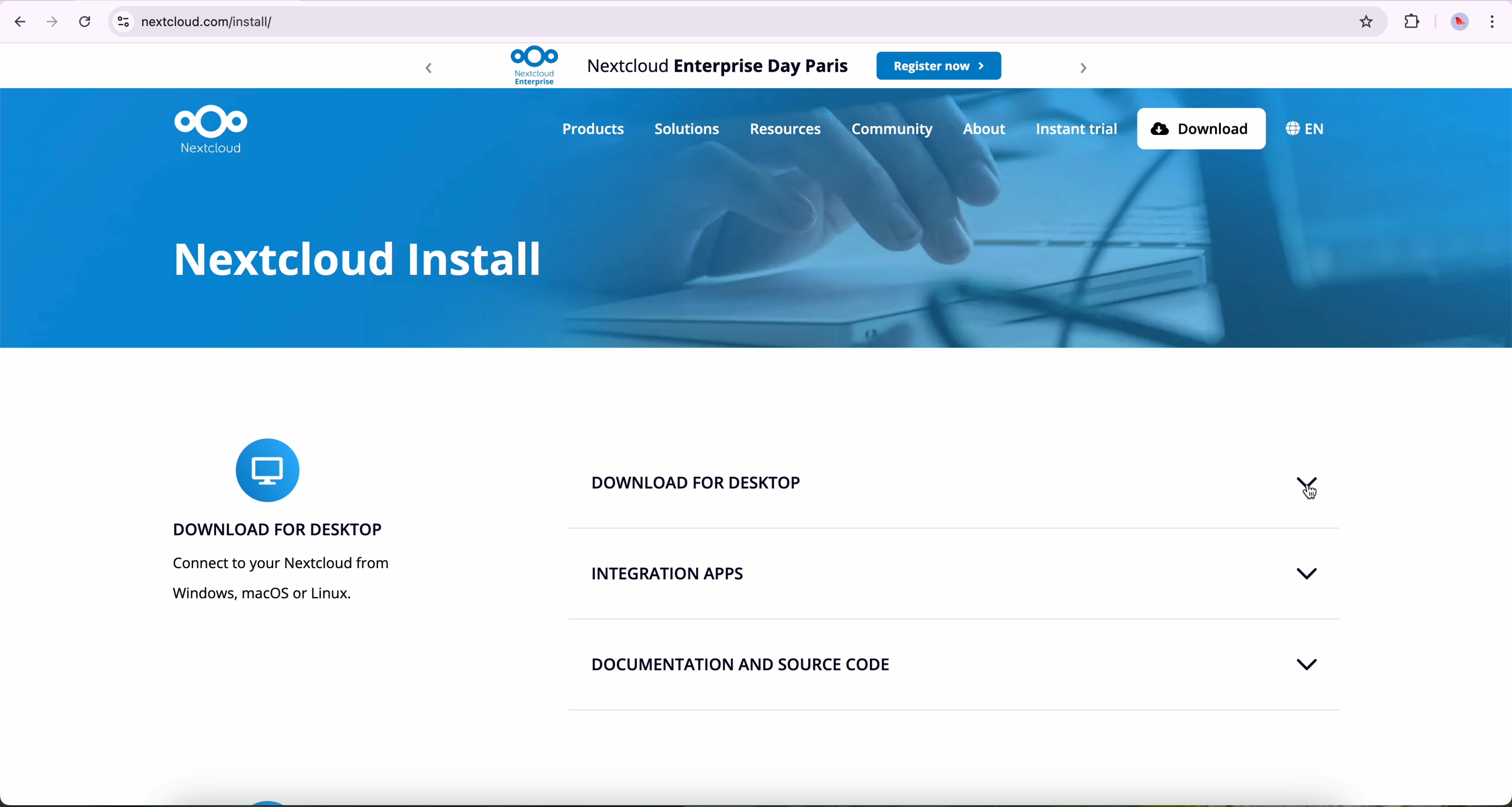  Describe the element at coordinates (1078, 68) in the screenshot. I see `forward` at that location.